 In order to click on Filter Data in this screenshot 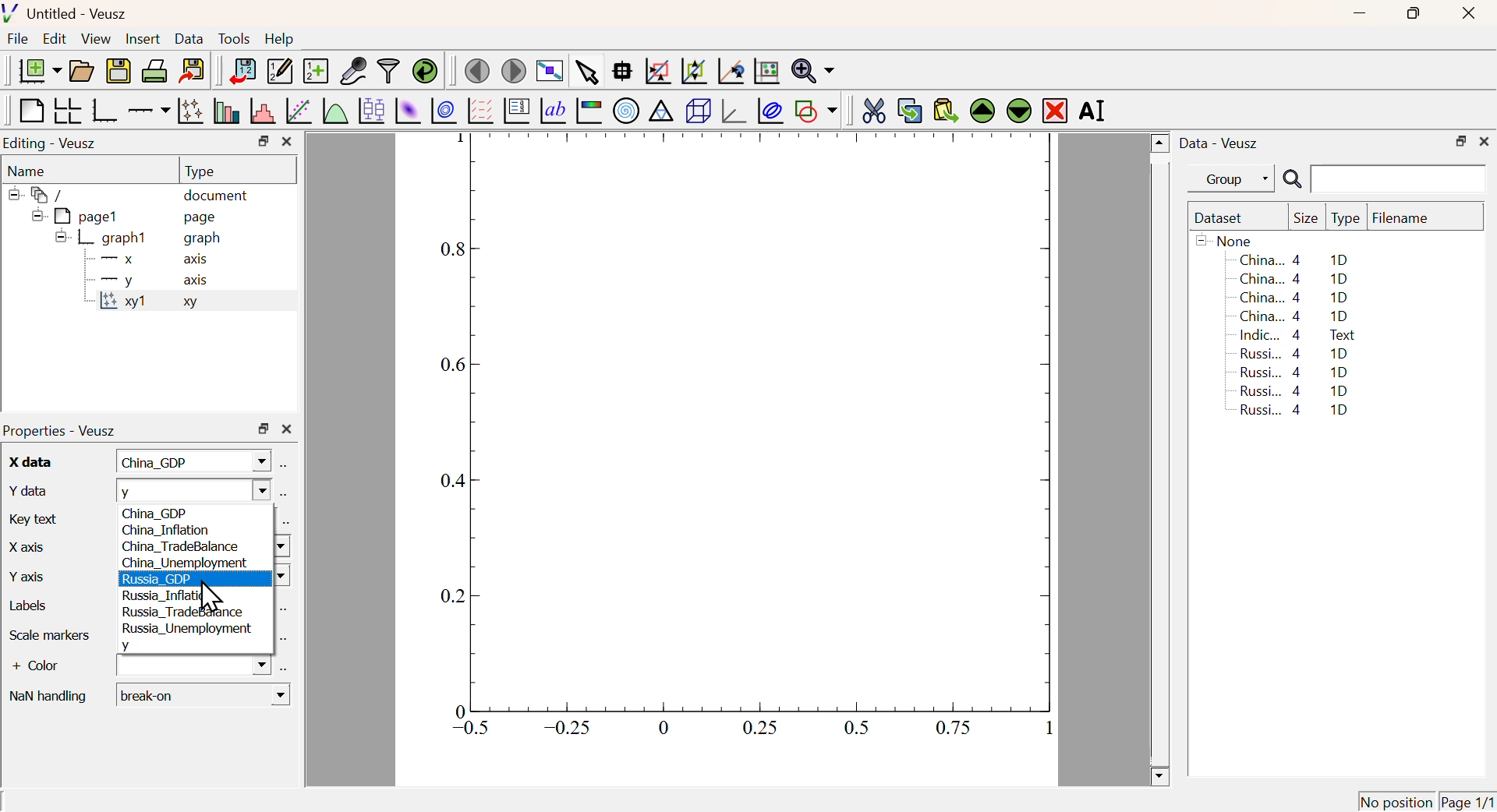, I will do `click(388, 69)`.